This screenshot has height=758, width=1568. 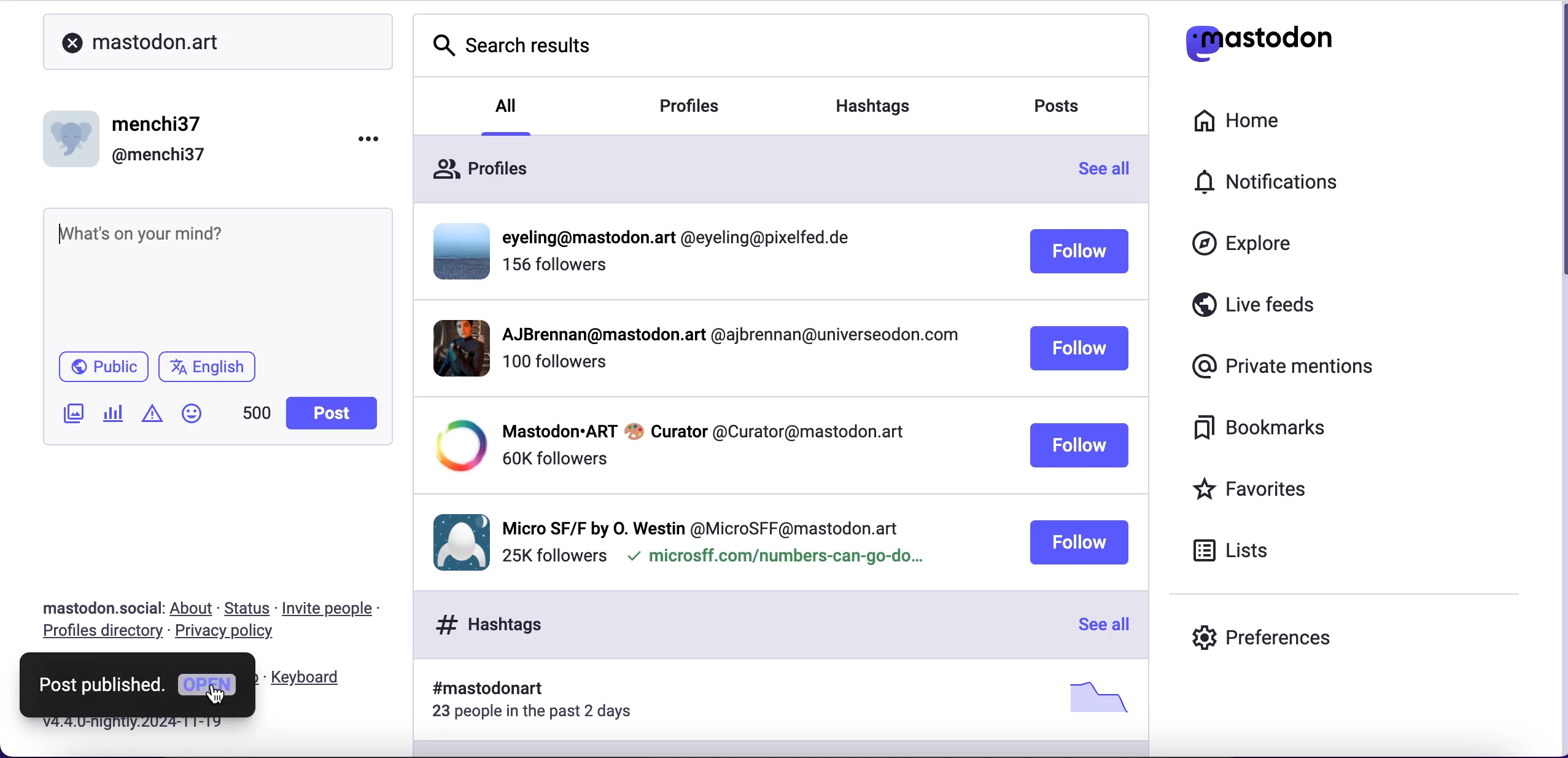 What do you see at coordinates (691, 107) in the screenshot?
I see `profiles` at bounding box center [691, 107].